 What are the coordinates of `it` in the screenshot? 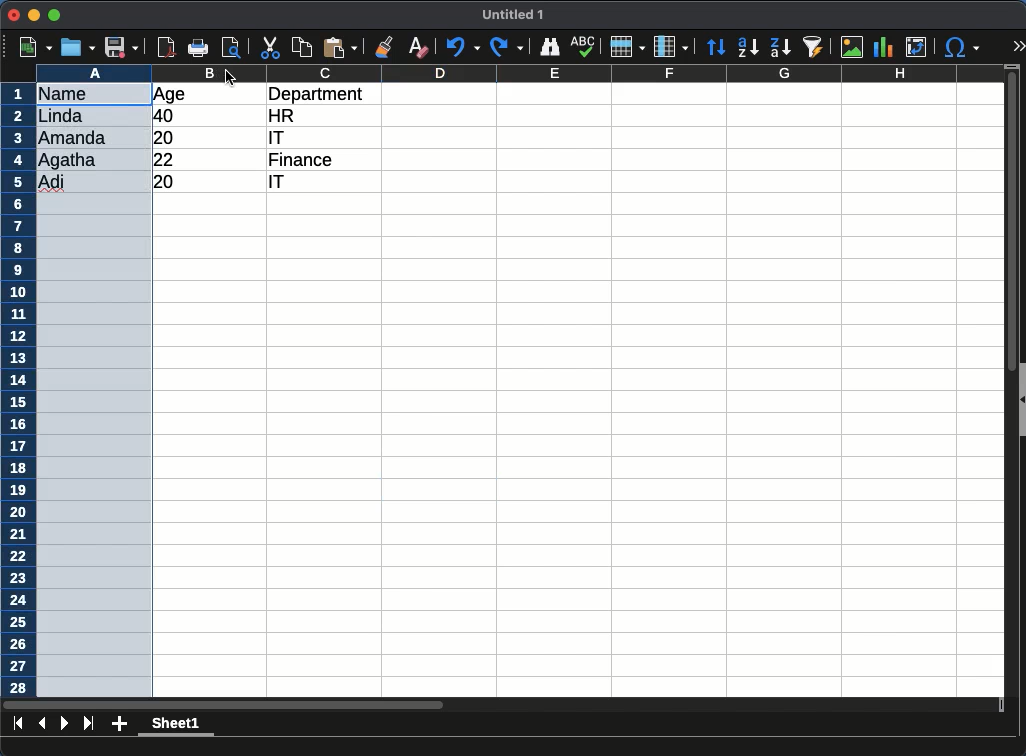 It's located at (286, 184).